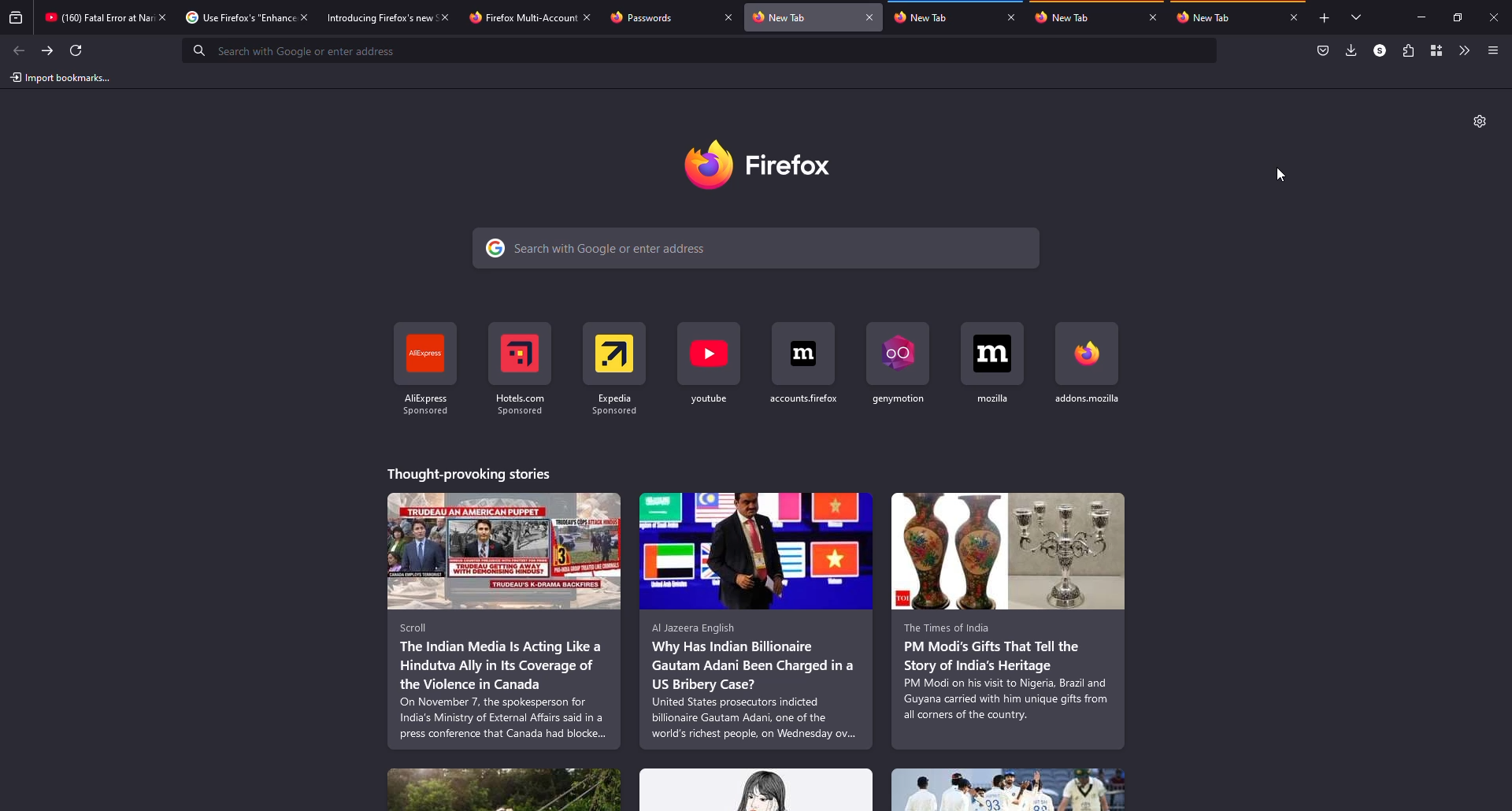  What do you see at coordinates (48, 49) in the screenshot?
I see `forward` at bounding box center [48, 49].